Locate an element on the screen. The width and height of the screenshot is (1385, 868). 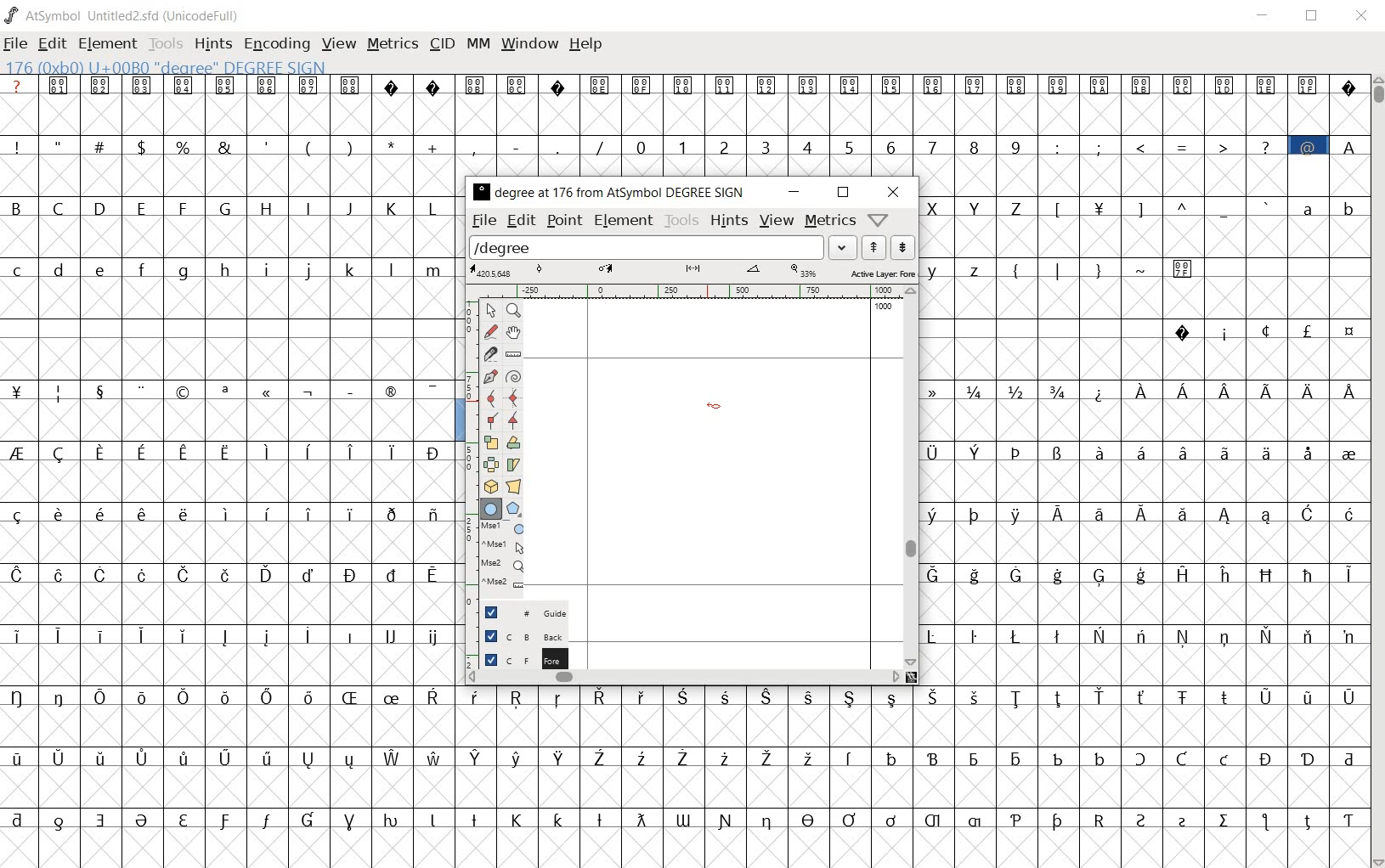
magnify is located at coordinates (512, 310).